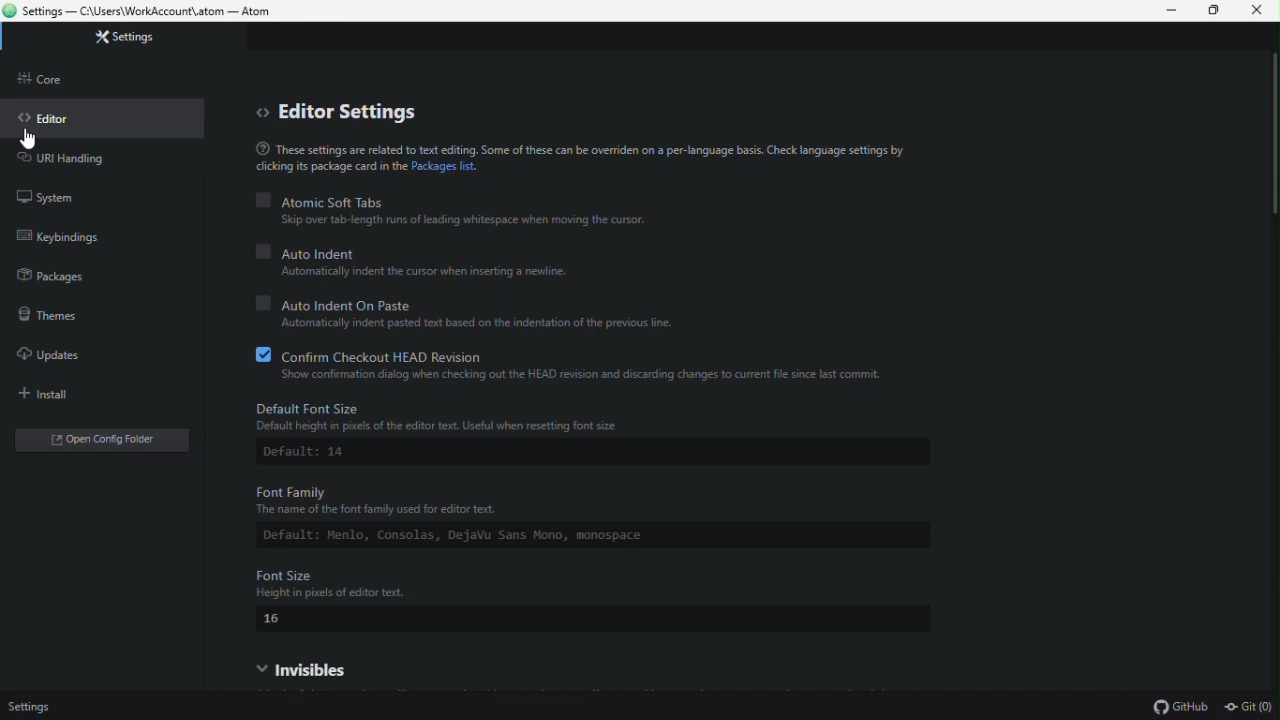 Image resolution: width=1280 pixels, height=720 pixels. I want to click on Close, so click(1262, 10).